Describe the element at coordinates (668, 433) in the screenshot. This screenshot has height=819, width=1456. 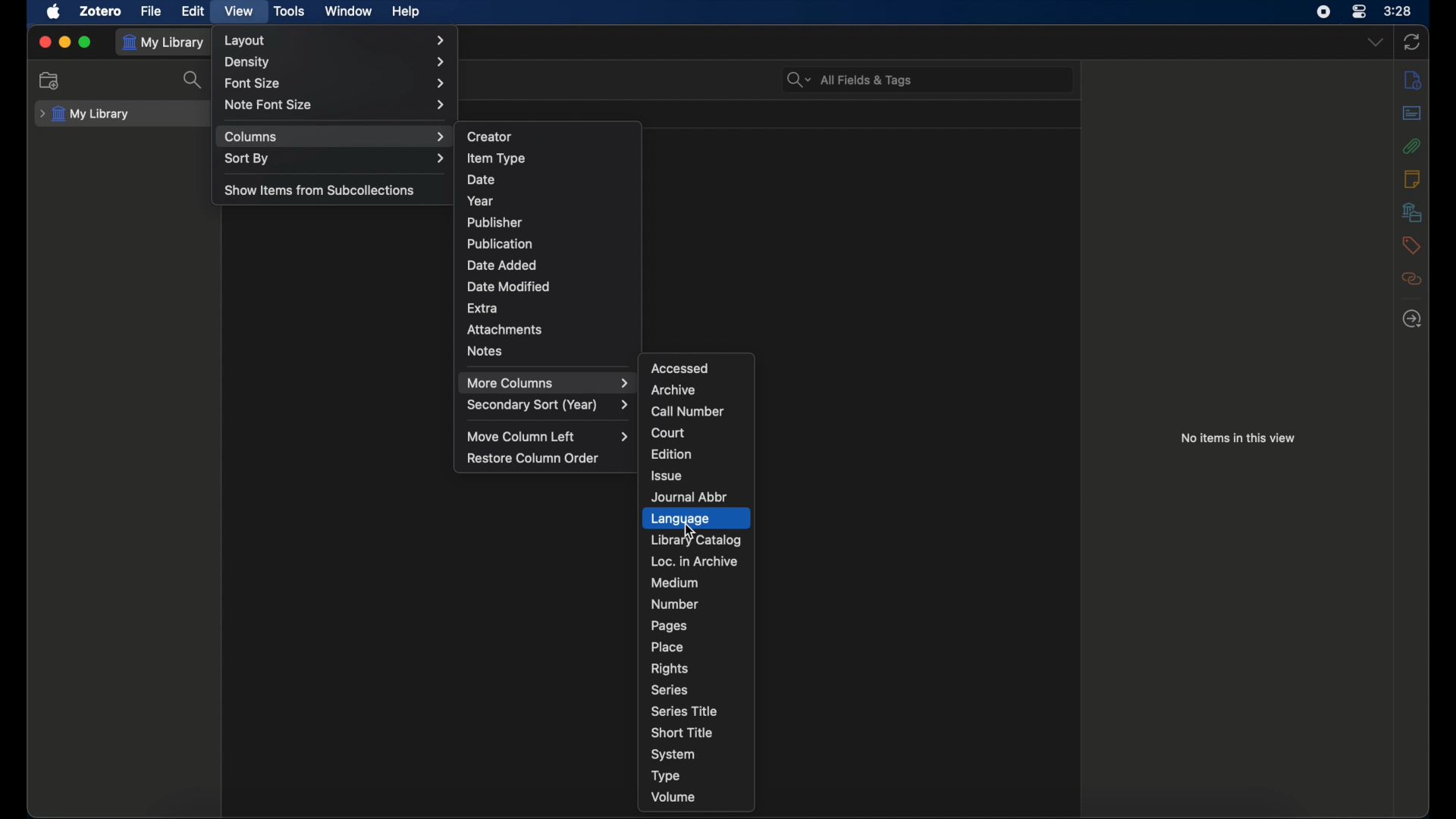
I see `court` at that location.